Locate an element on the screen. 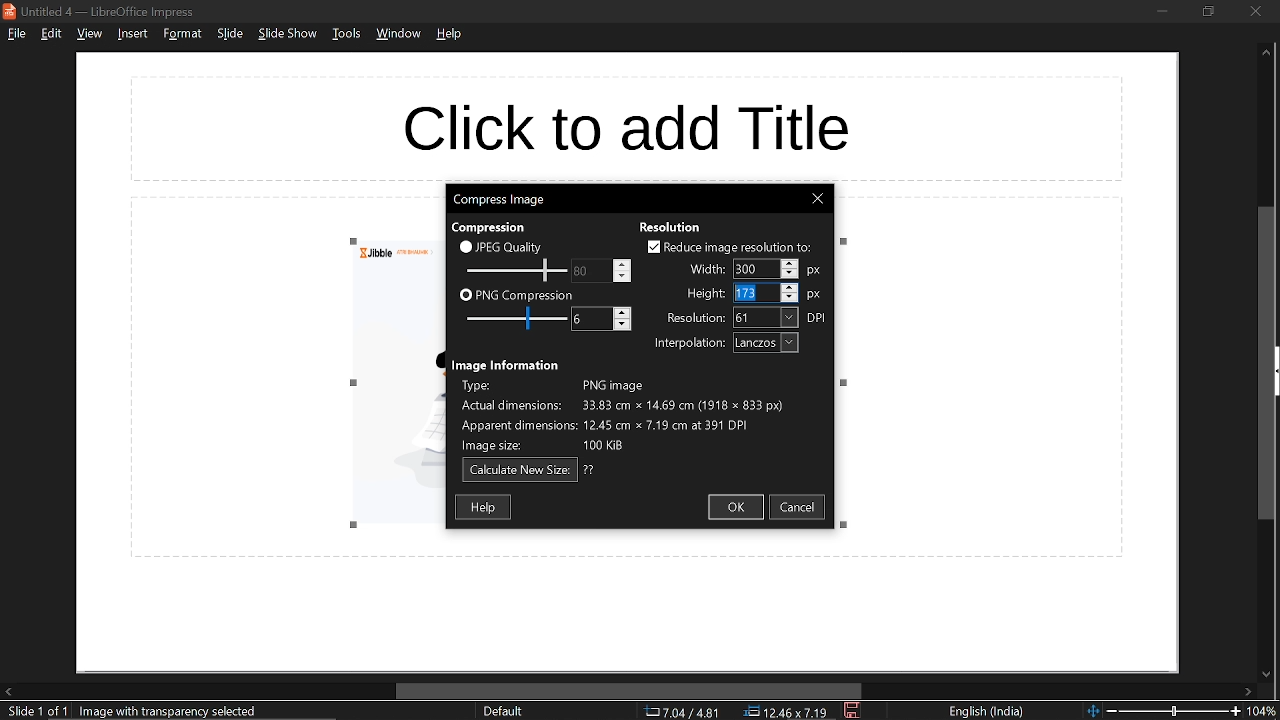  px is located at coordinates (818, 269).